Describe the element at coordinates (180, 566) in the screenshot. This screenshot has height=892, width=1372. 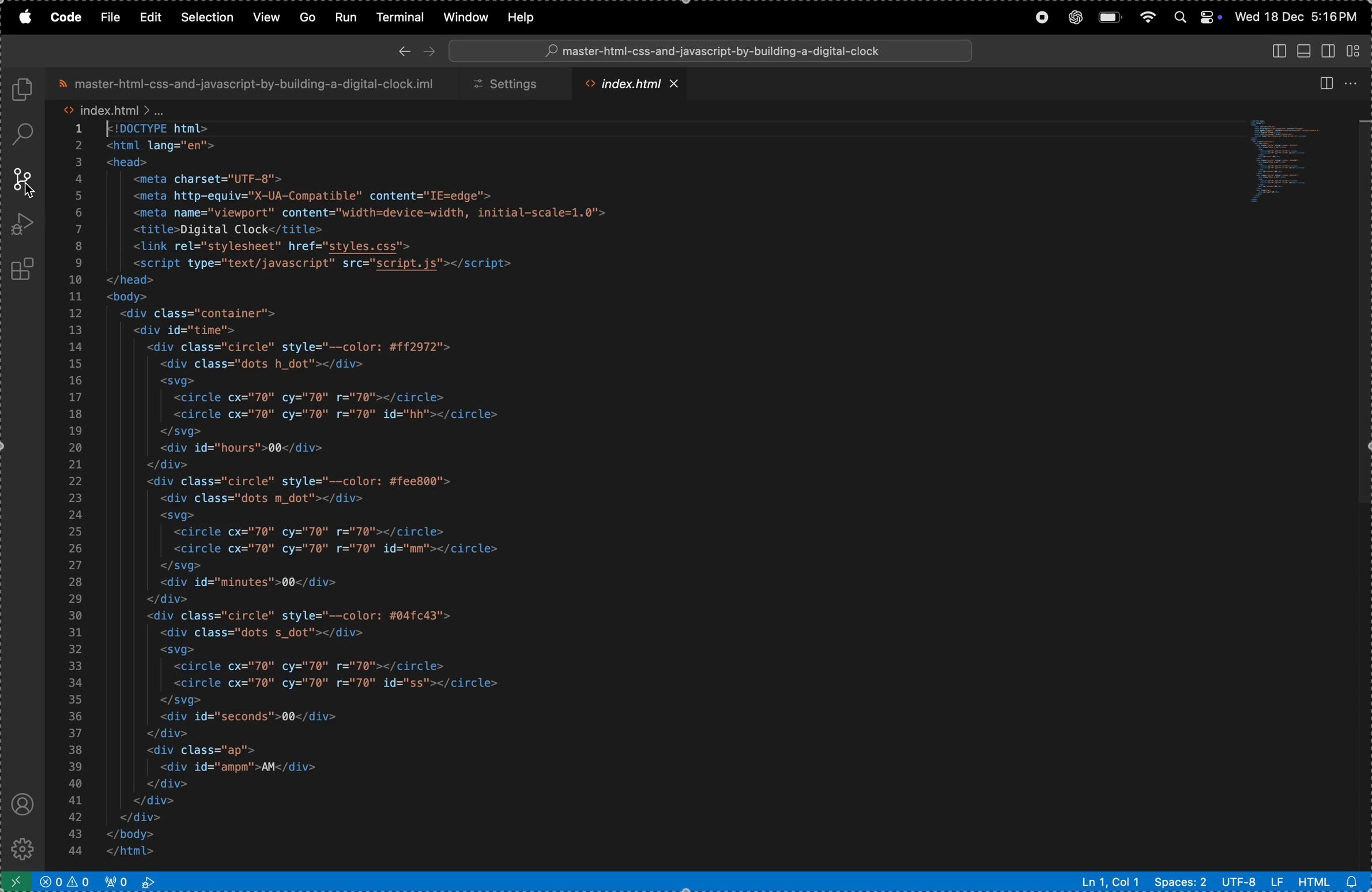
I see `</svg>` at that location.